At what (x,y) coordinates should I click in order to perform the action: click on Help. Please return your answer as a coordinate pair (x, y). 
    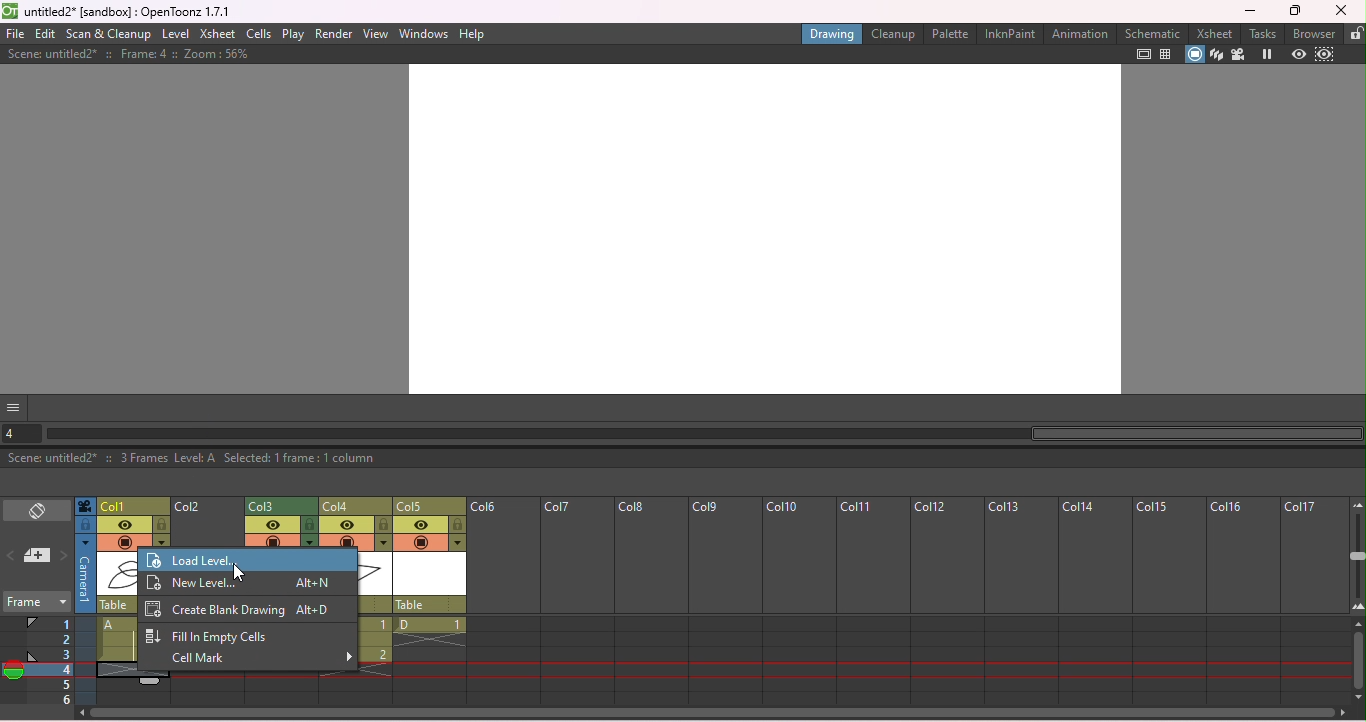
    Looking at the image, I should click on (473, 33).